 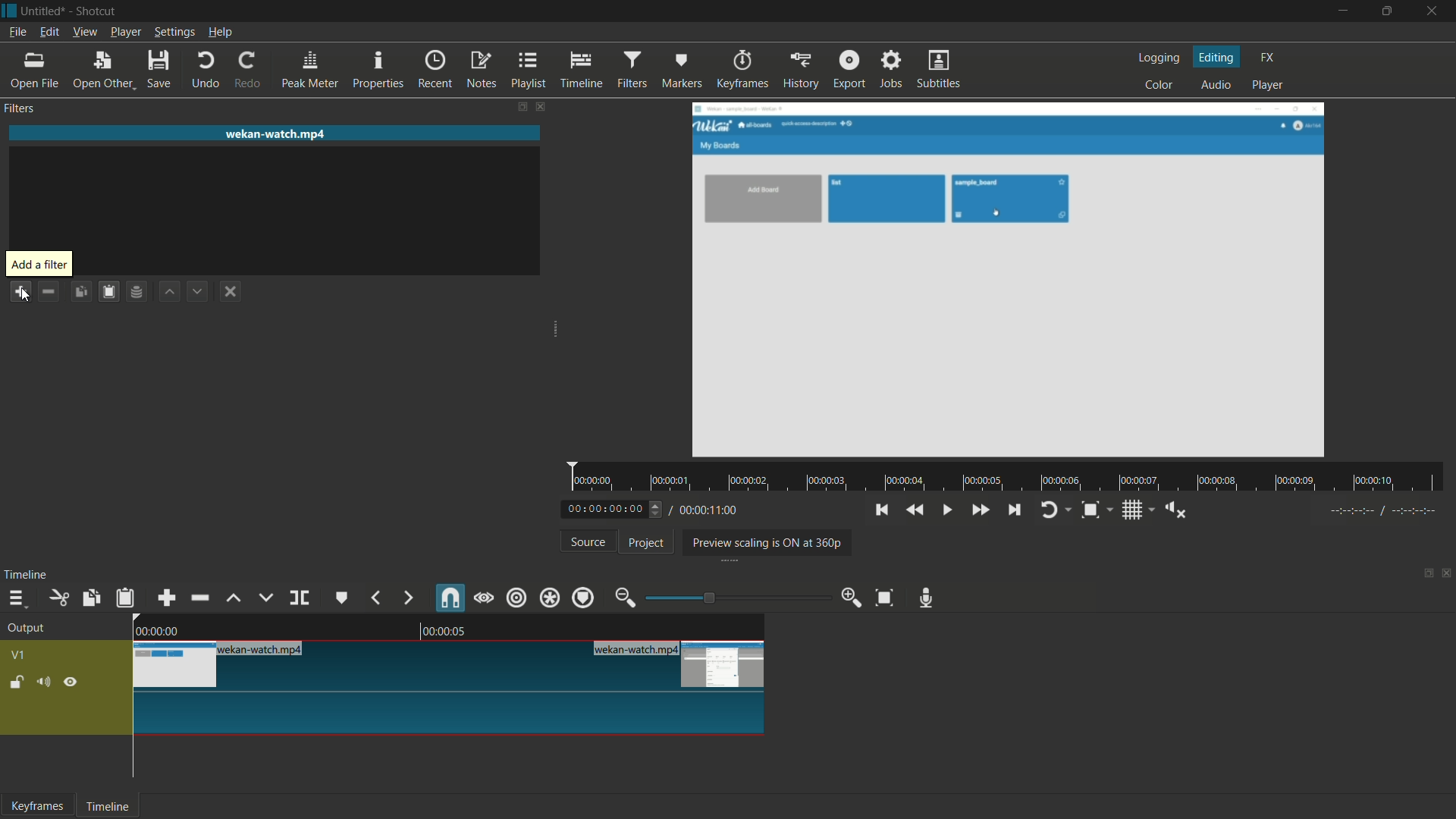 I want to click on copy, so click(x=89, y=598).